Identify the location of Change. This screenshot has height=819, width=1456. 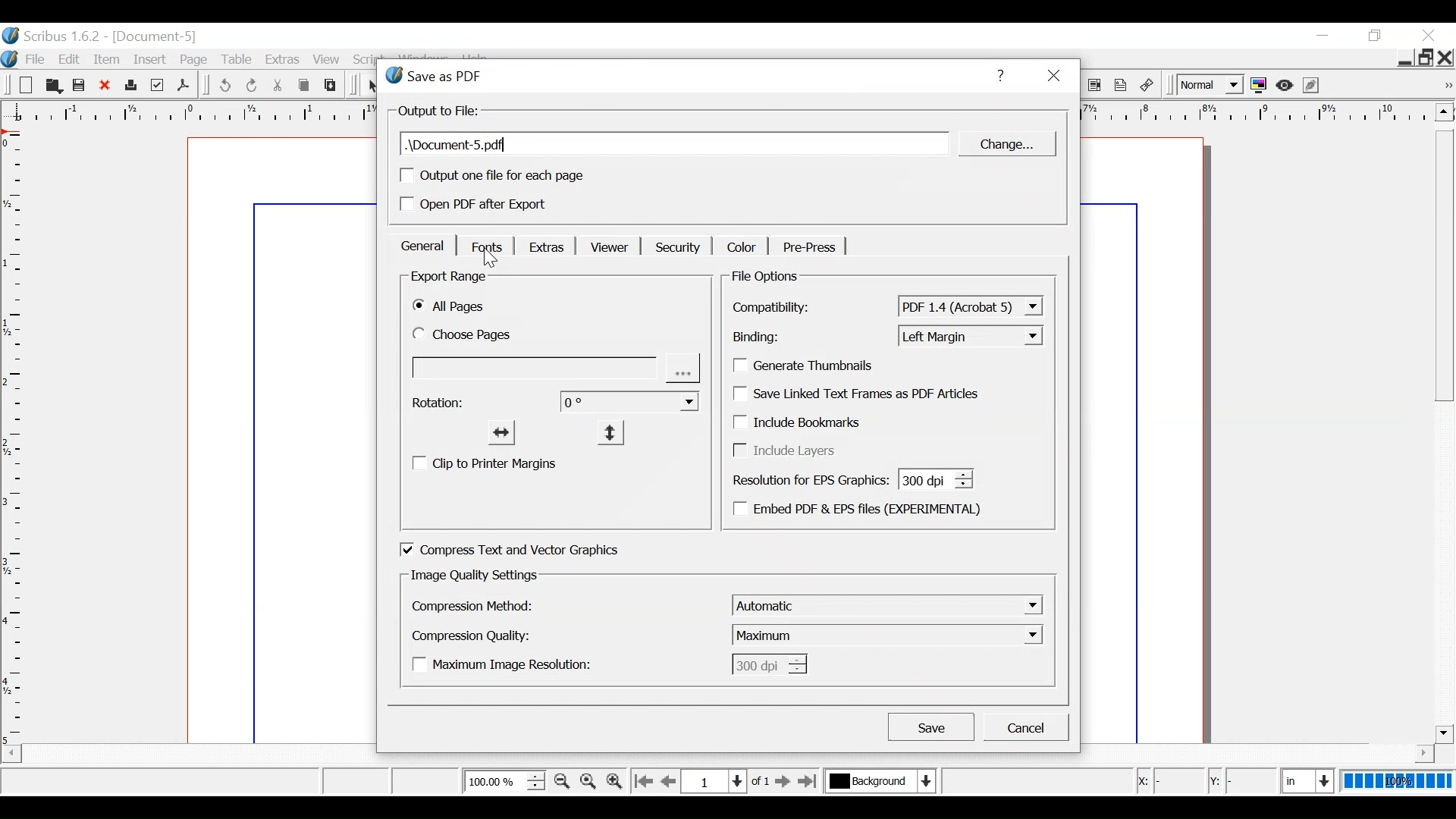
(1005, 144).